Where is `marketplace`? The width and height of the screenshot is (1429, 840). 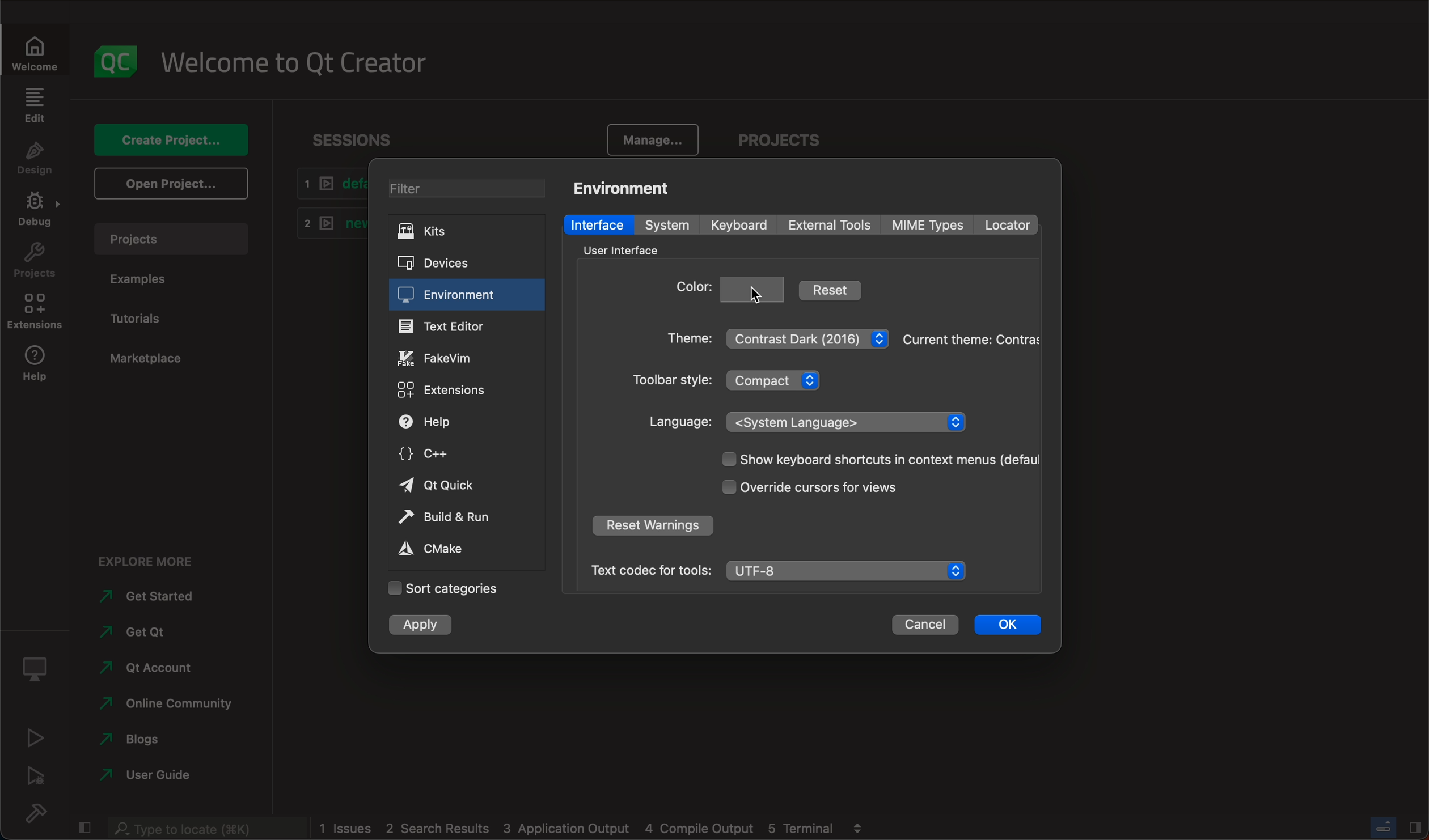
marketplace is located at coordinates (142, 356).